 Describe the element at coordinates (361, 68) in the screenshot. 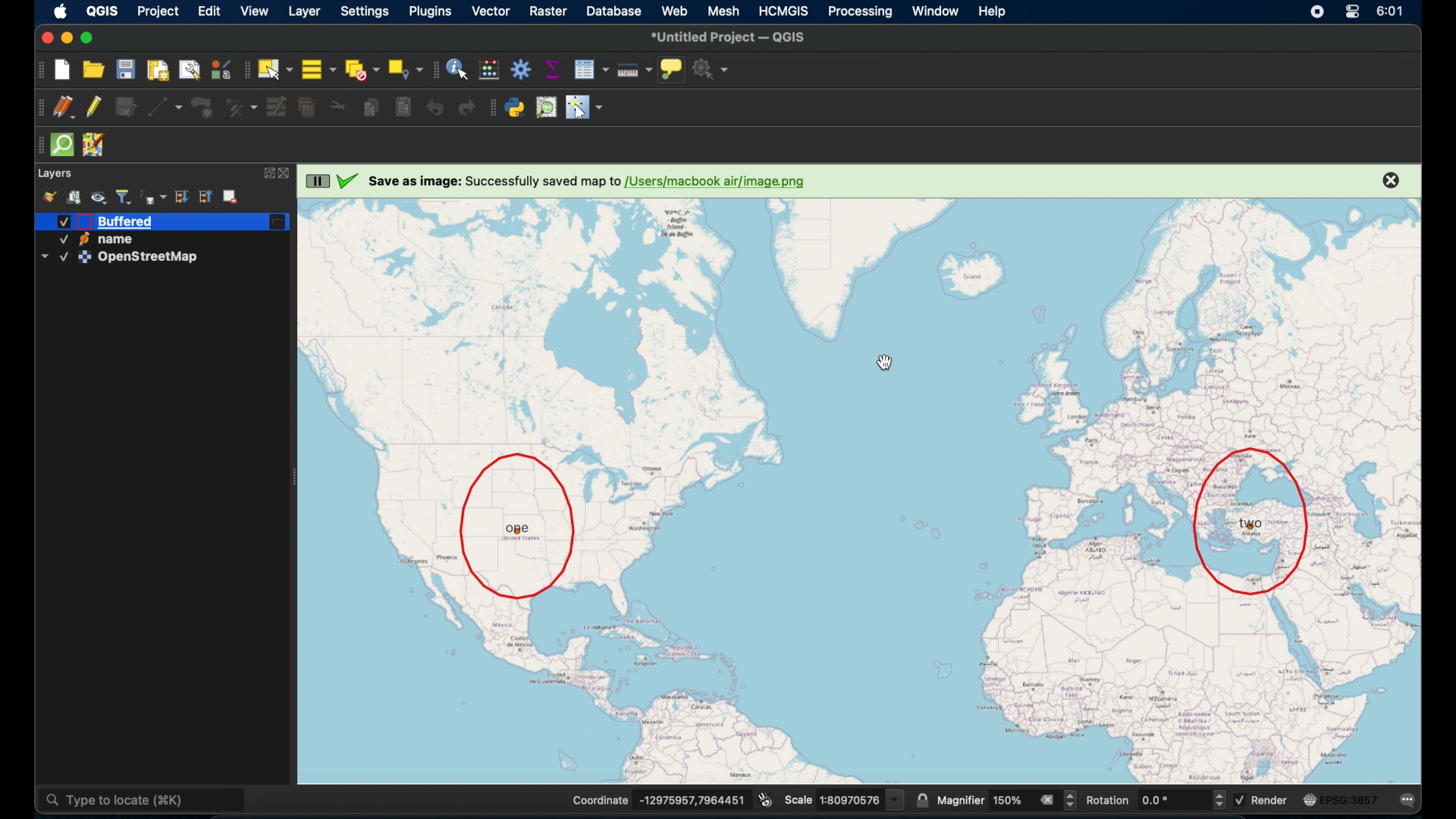

I see `deselect features` at that location.